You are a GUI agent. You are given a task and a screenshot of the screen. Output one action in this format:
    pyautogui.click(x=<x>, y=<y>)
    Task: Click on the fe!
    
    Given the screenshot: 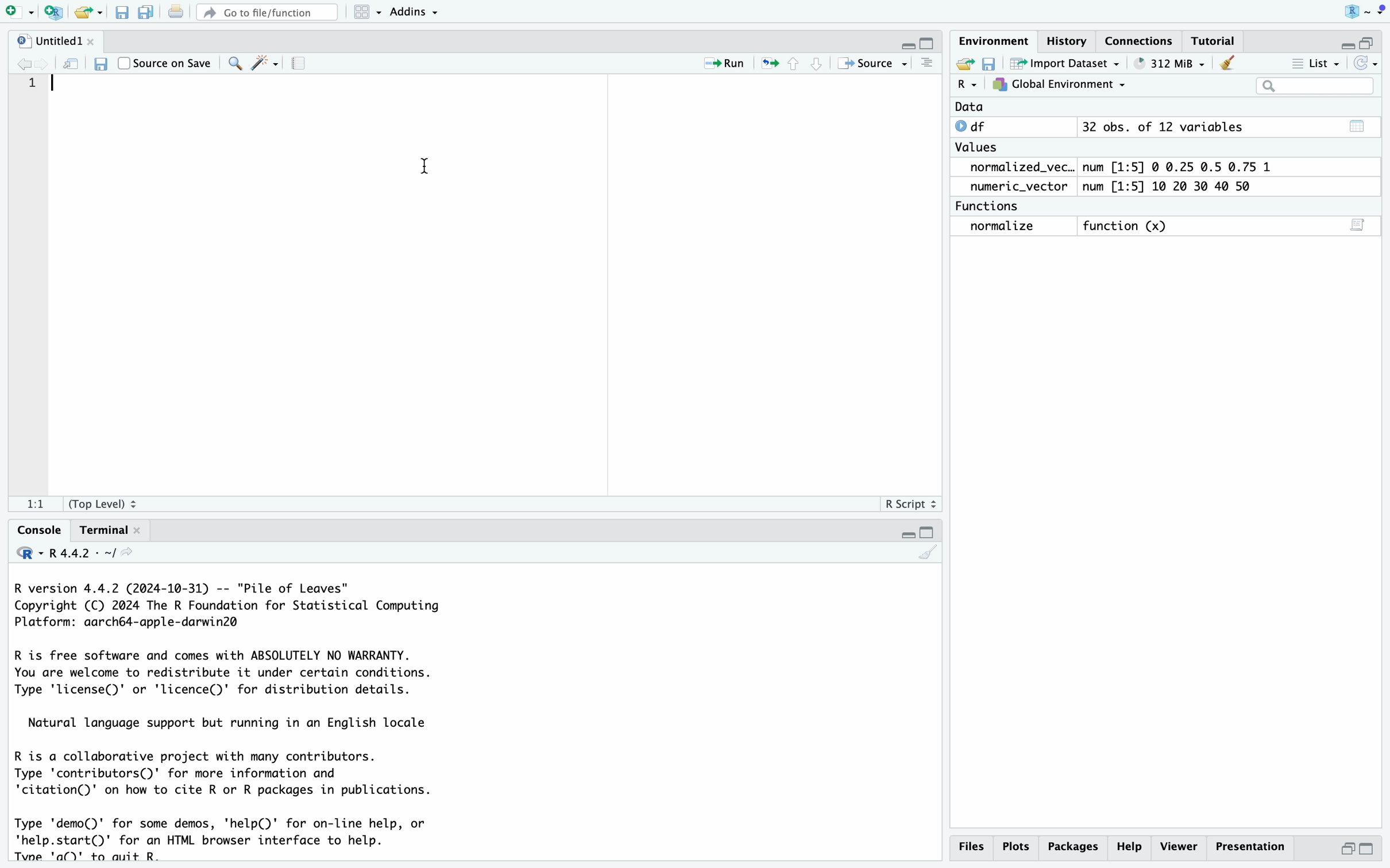 What is the action you would take?
    pyautogui.click(x=36, y=503)
    